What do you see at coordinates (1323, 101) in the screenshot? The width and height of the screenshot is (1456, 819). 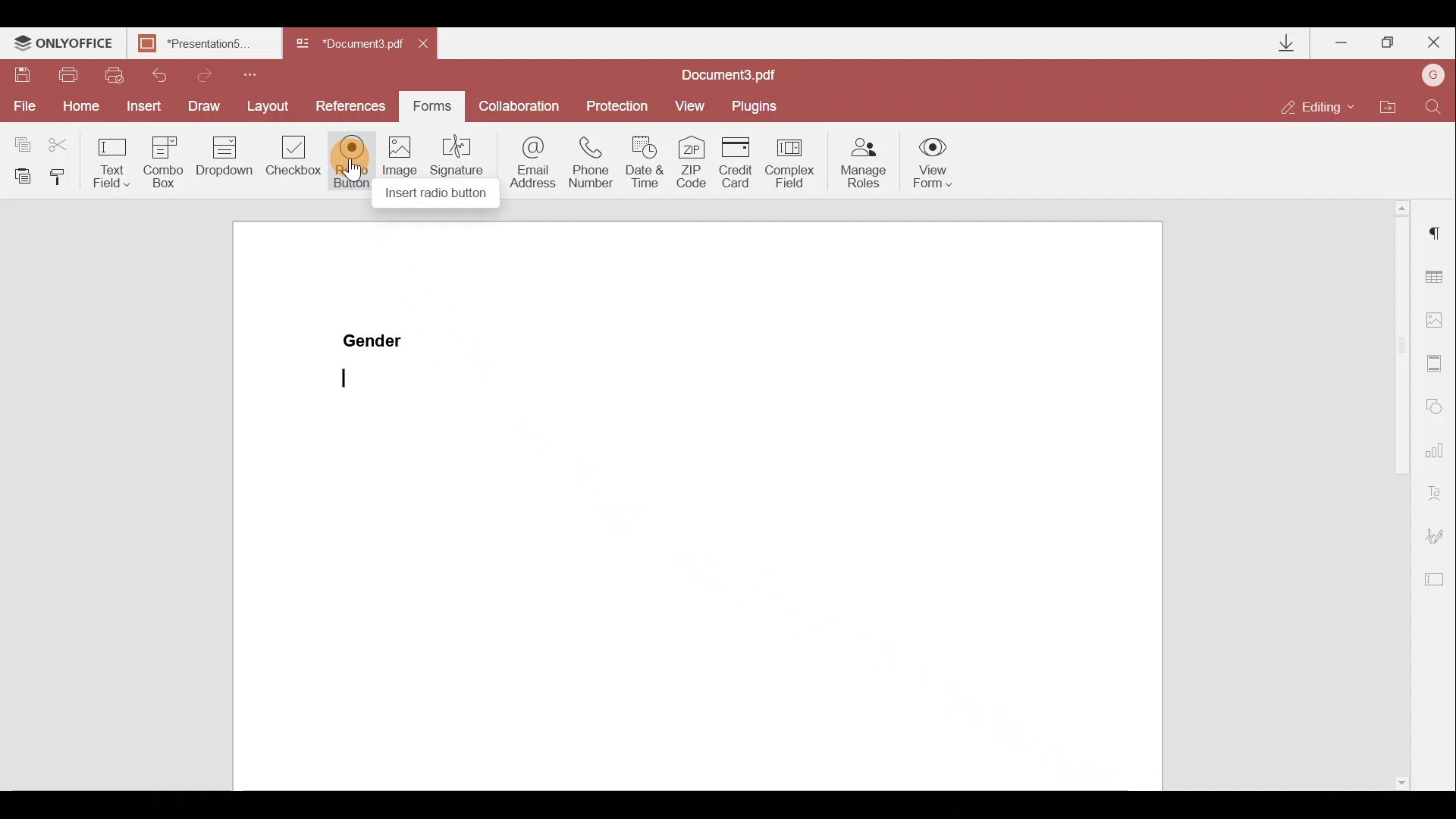 I see `Editing mode` at bounding box center [1323, 101].